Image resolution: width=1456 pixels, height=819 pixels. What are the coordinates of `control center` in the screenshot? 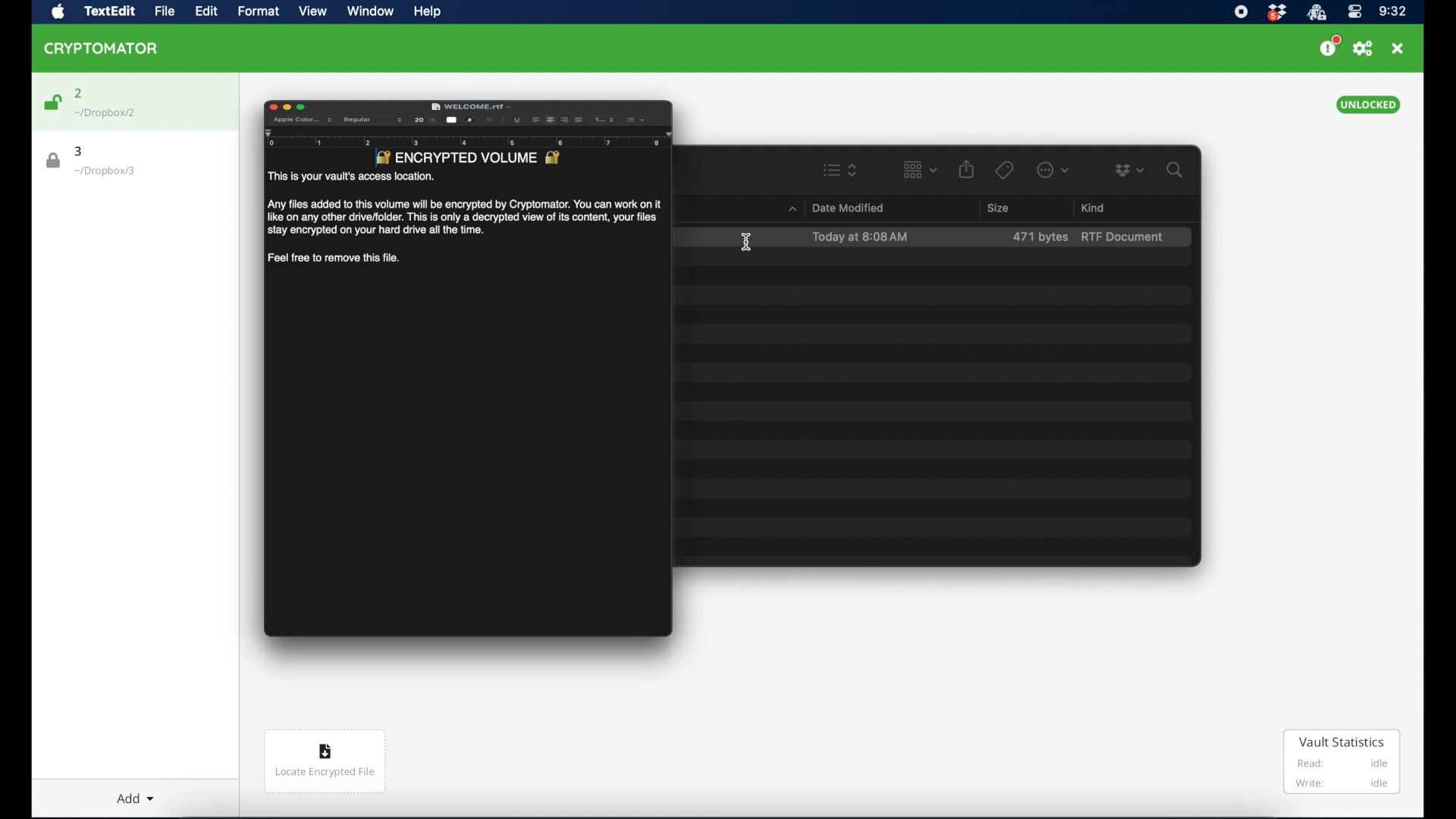 It's located at (1355, 12).